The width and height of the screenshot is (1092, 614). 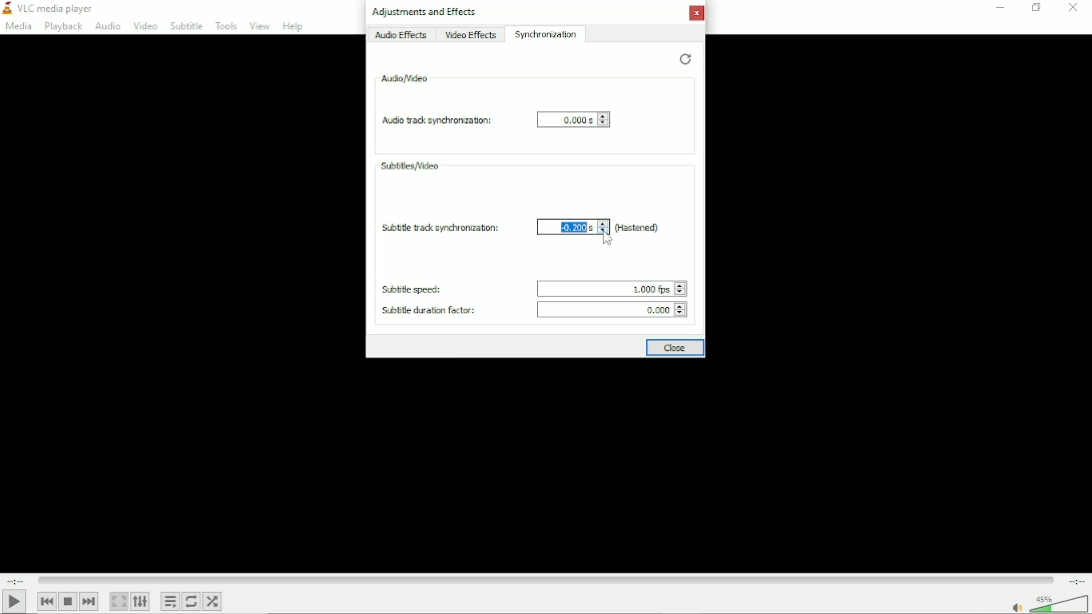 What do you see at coordinates (408, 166) in the screenshot?
I see `Subtitles/video` at bounding box center [408, 166].